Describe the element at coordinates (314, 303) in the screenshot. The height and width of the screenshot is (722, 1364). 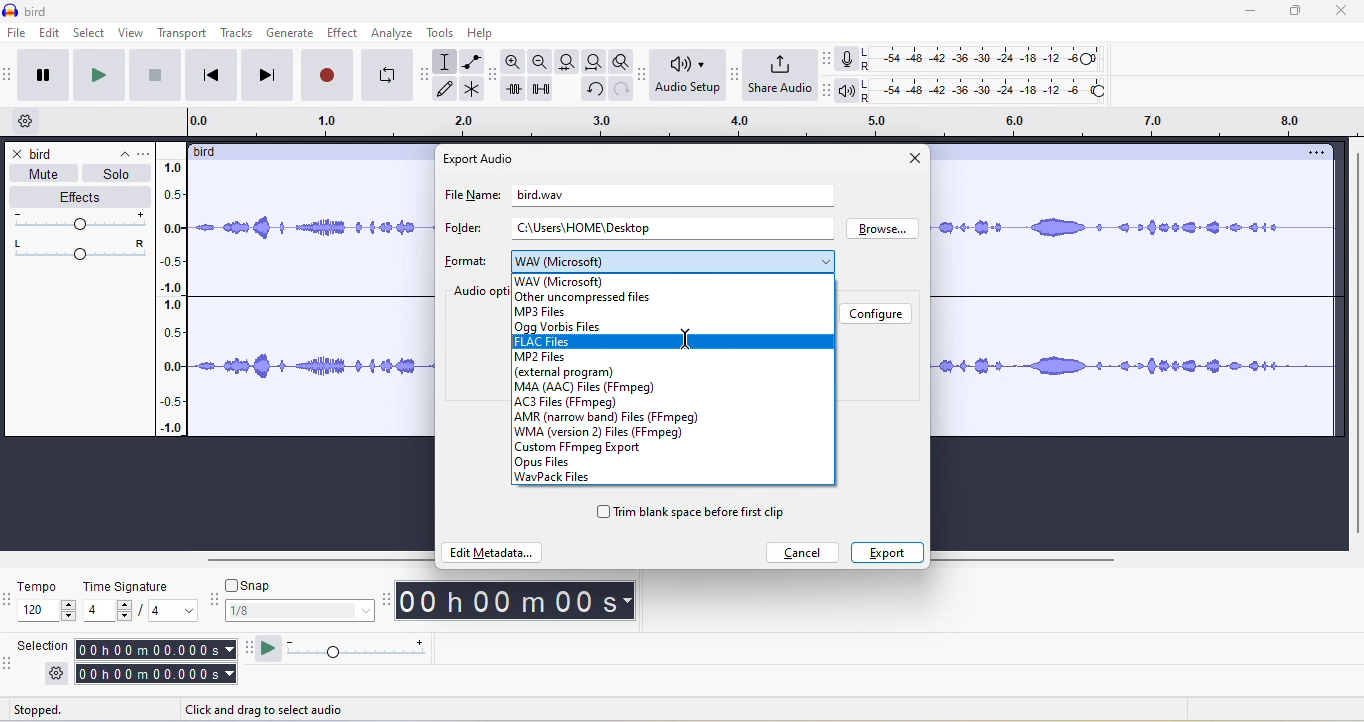
I see `record audio` at that location.